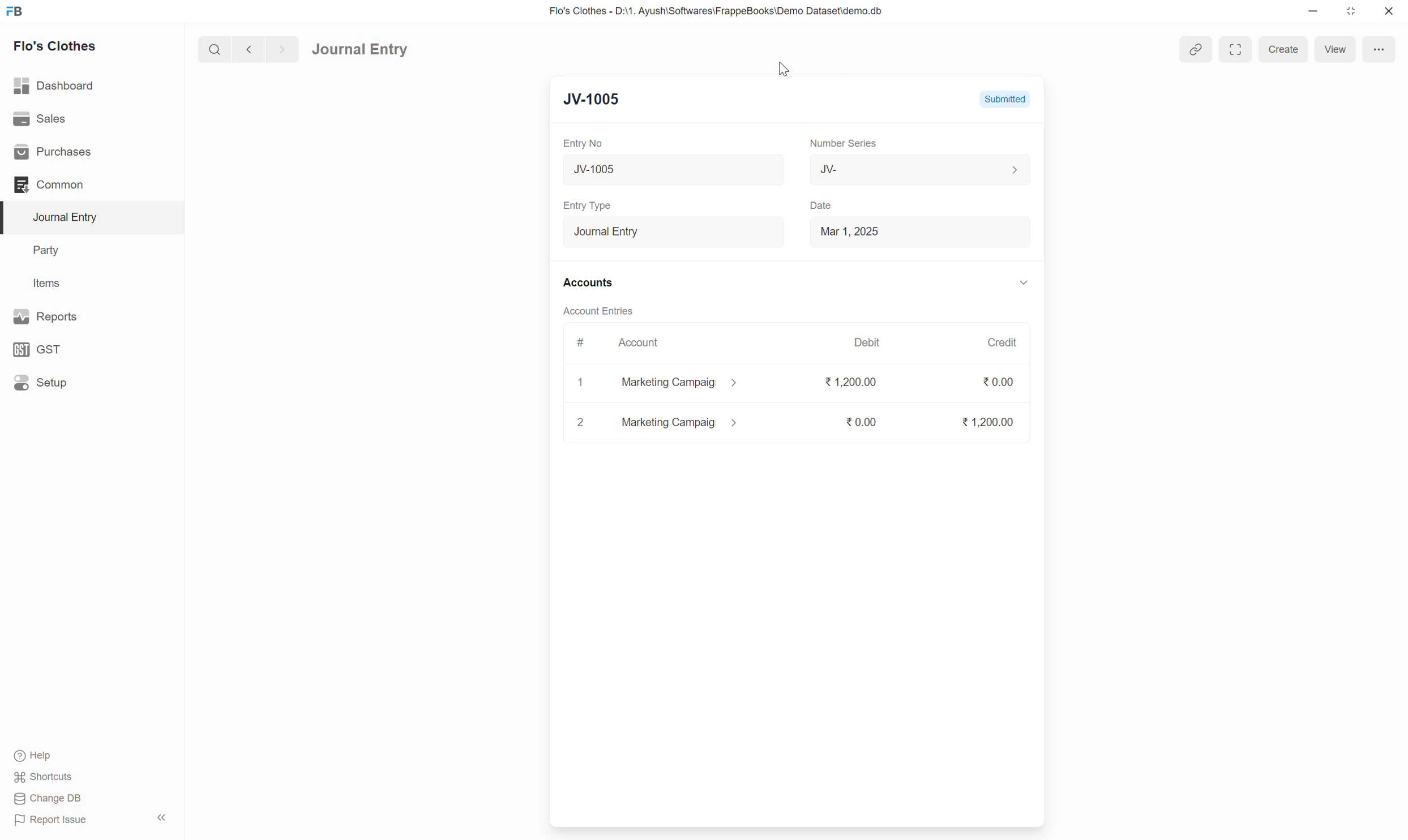  I want to click on Common, so click(50, 185).